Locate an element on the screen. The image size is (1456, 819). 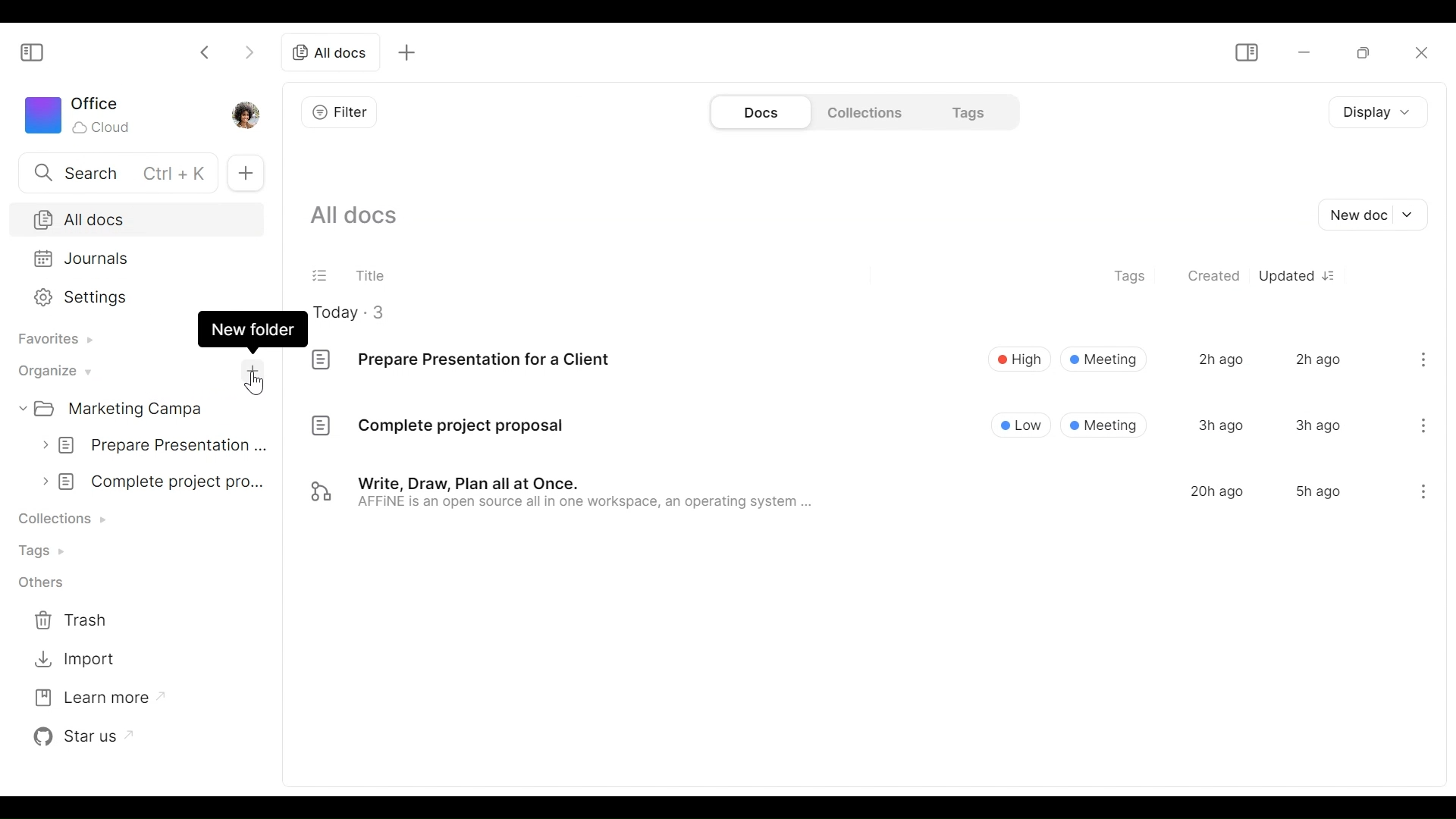
Tags is located at coordinates (42, 551).